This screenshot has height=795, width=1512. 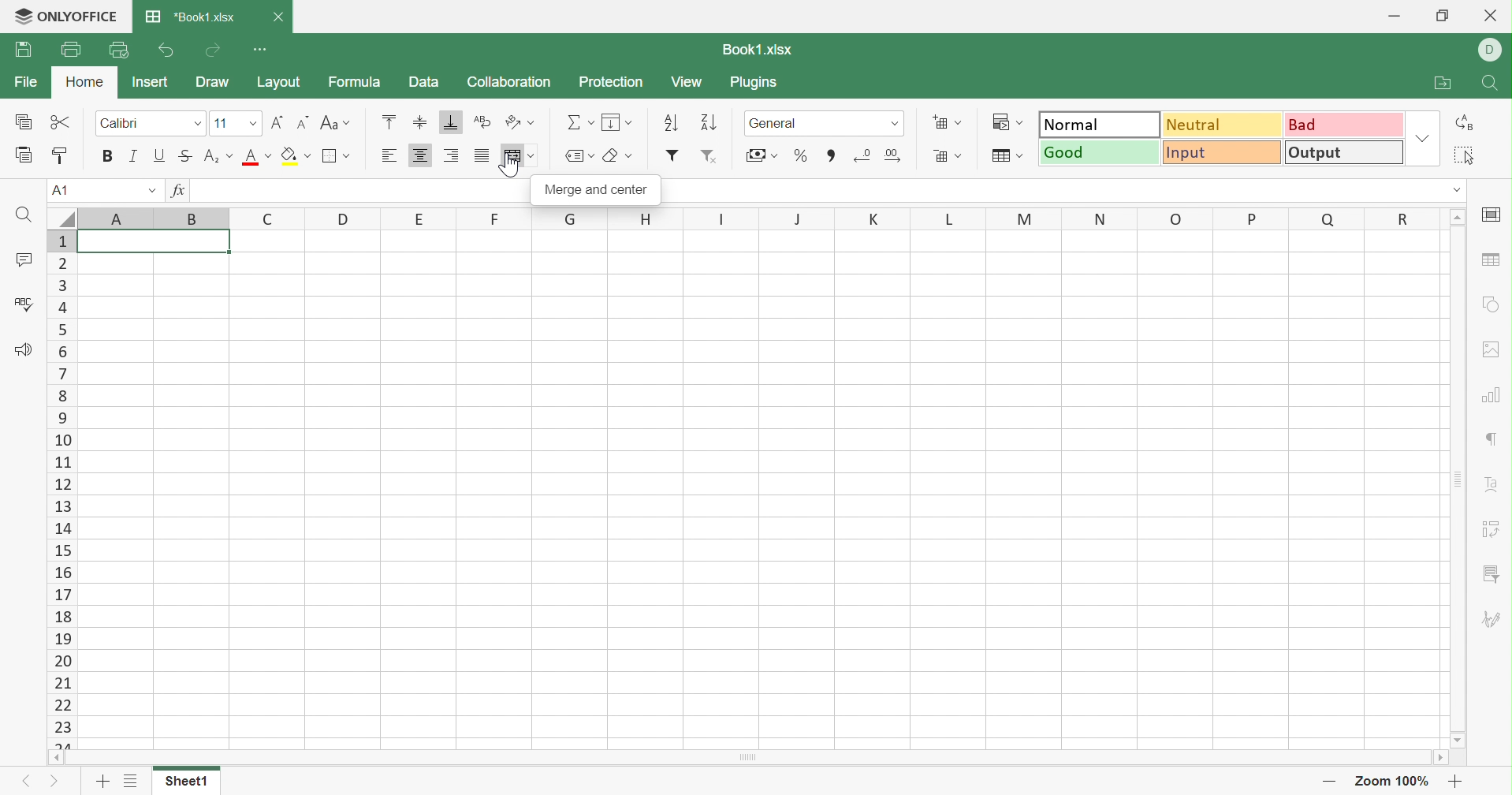 What do you see at coordinates (762, 84) in the screenshot?
I see `Plugins` at bounding box center [762, 84].